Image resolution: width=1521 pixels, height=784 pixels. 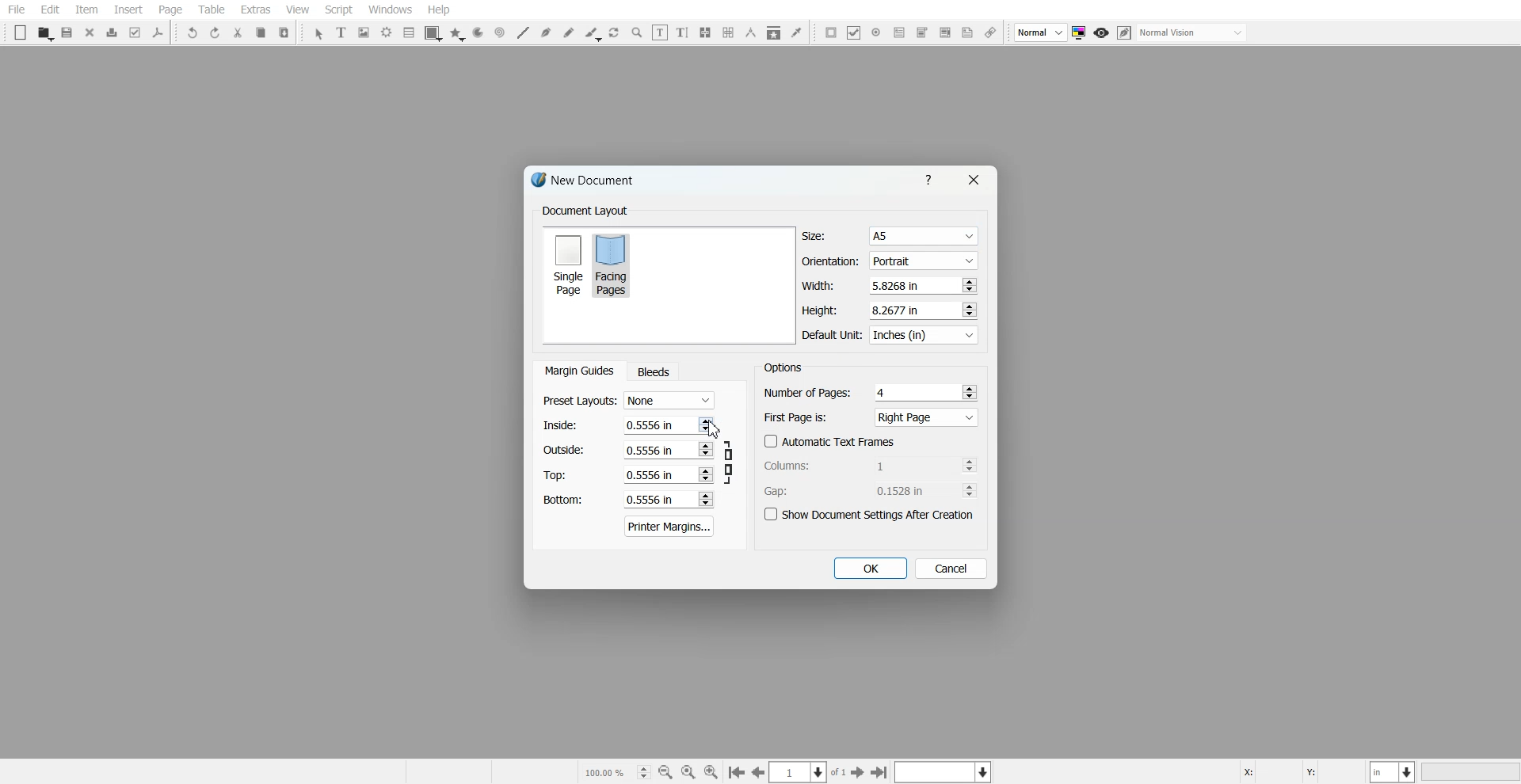 What do you see at coordinates (951, 568) in the screenshot?
I see `Cancel` at bounding box center [951, 568].